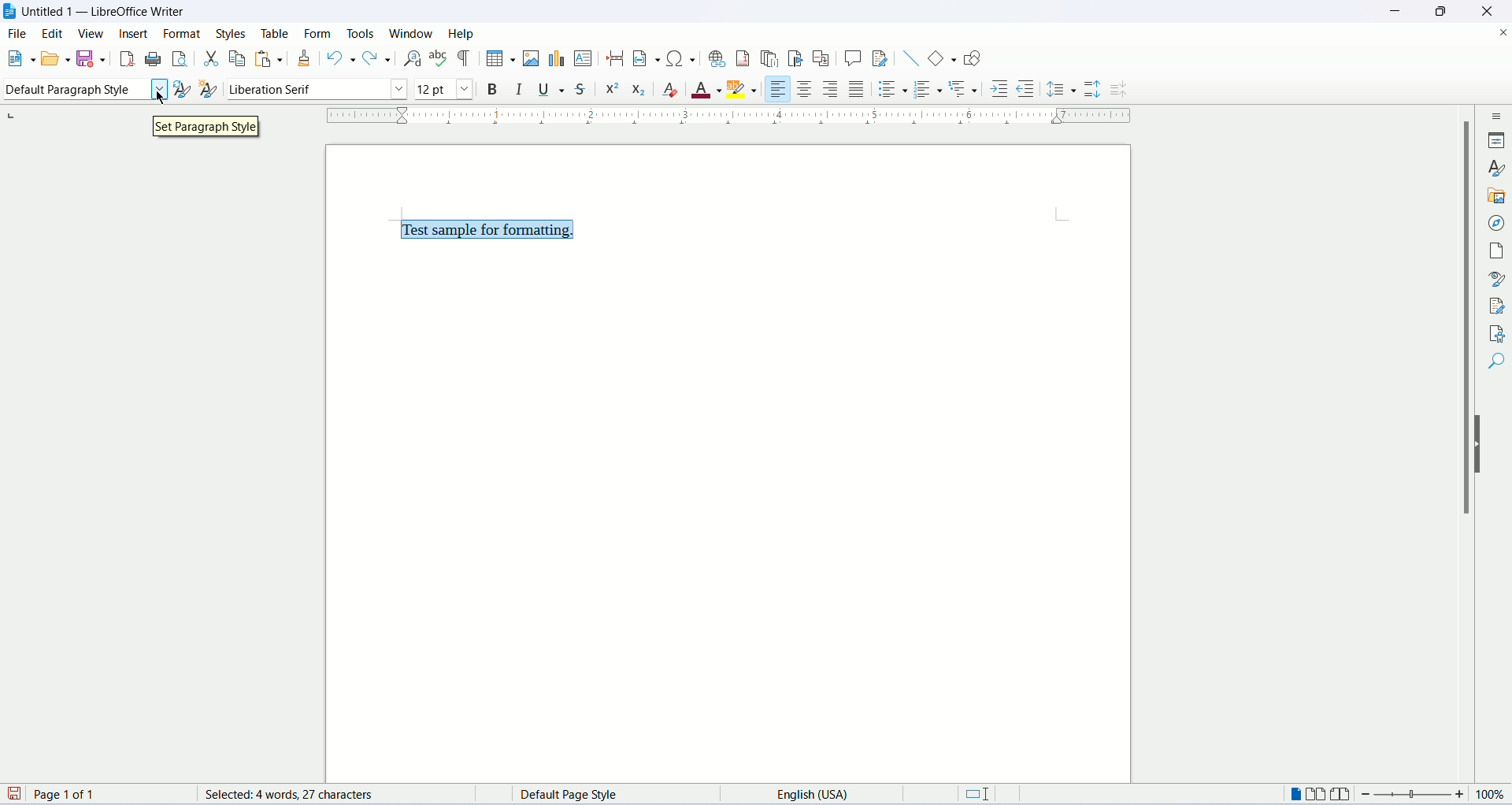  Describe the element at coordinates (272, 32) in the screenshot. I see `table` at that location.